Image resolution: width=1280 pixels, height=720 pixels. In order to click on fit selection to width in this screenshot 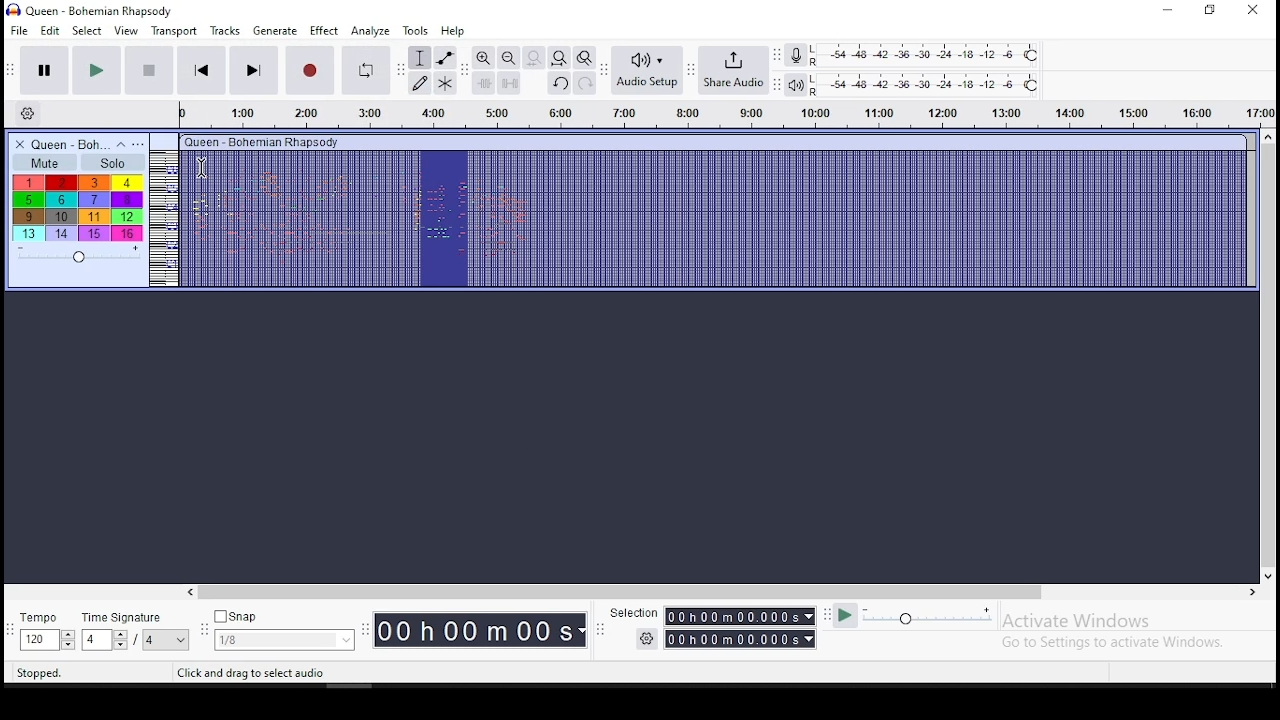, I will do `click(533, 58)`.